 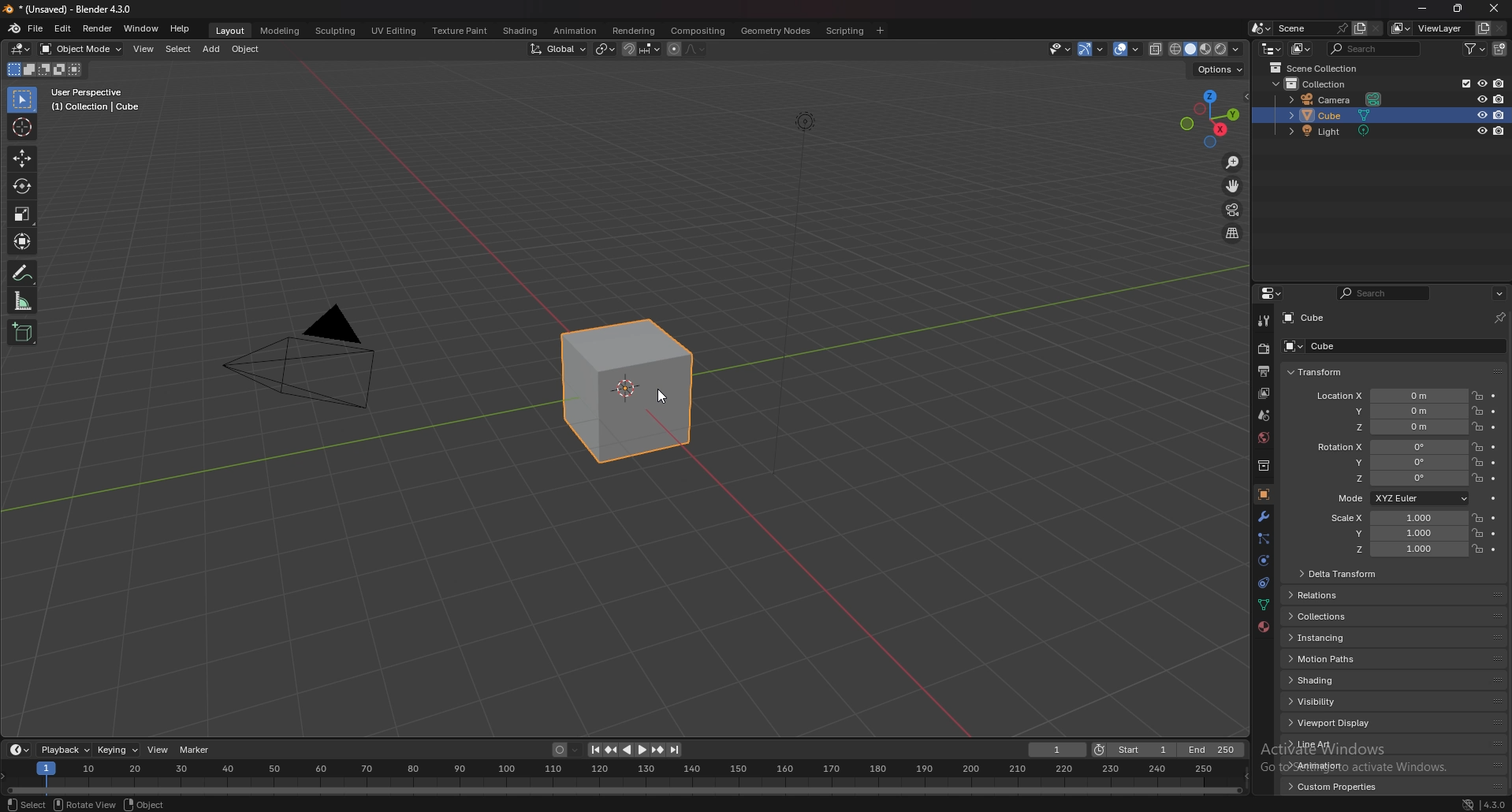 What do you see at coordinates (144, 49) in the screenshot?
I see `view` at bounding box center [144, 49].